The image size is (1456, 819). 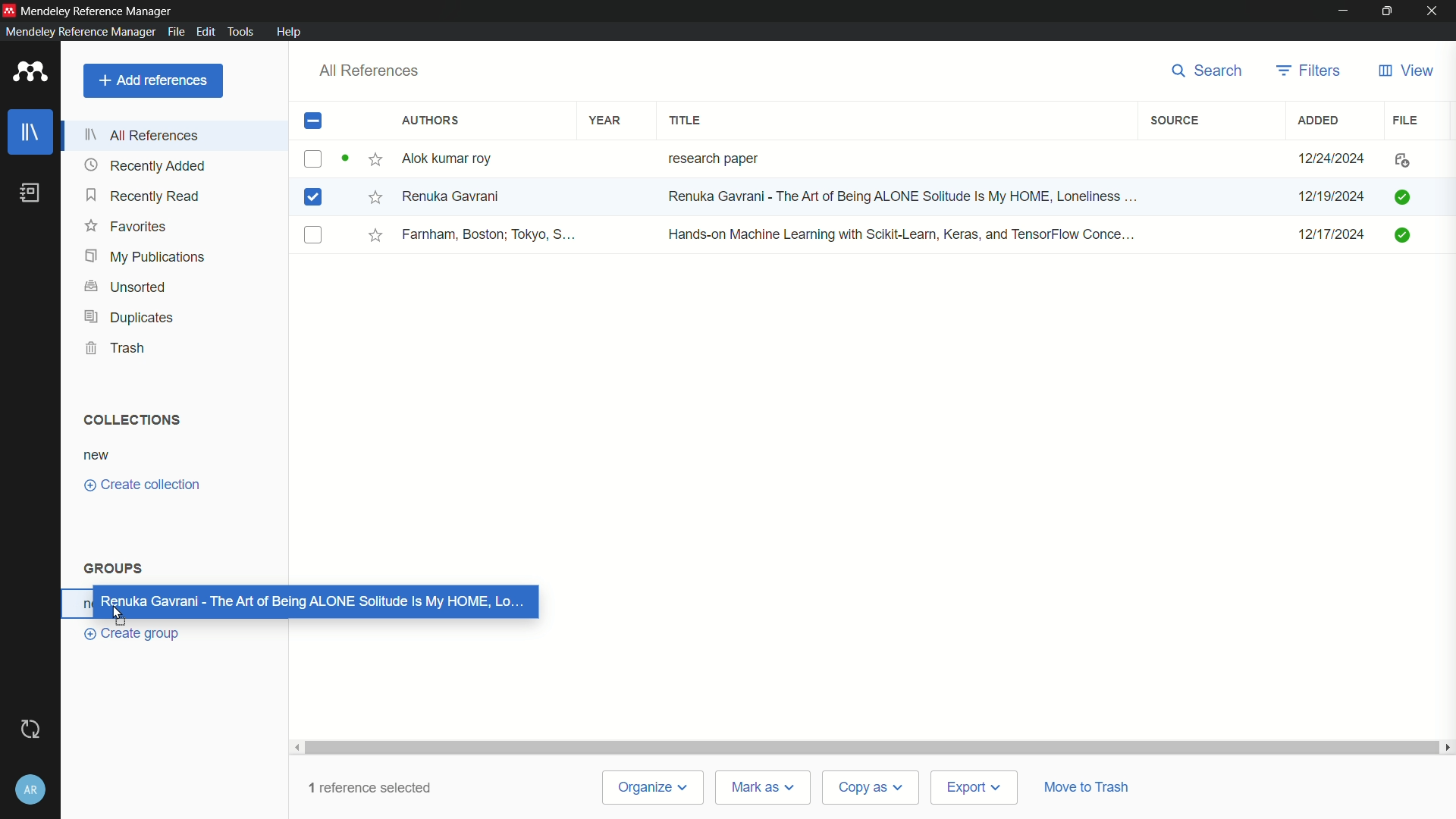 I want to click on year, so click(x=605, y=120).